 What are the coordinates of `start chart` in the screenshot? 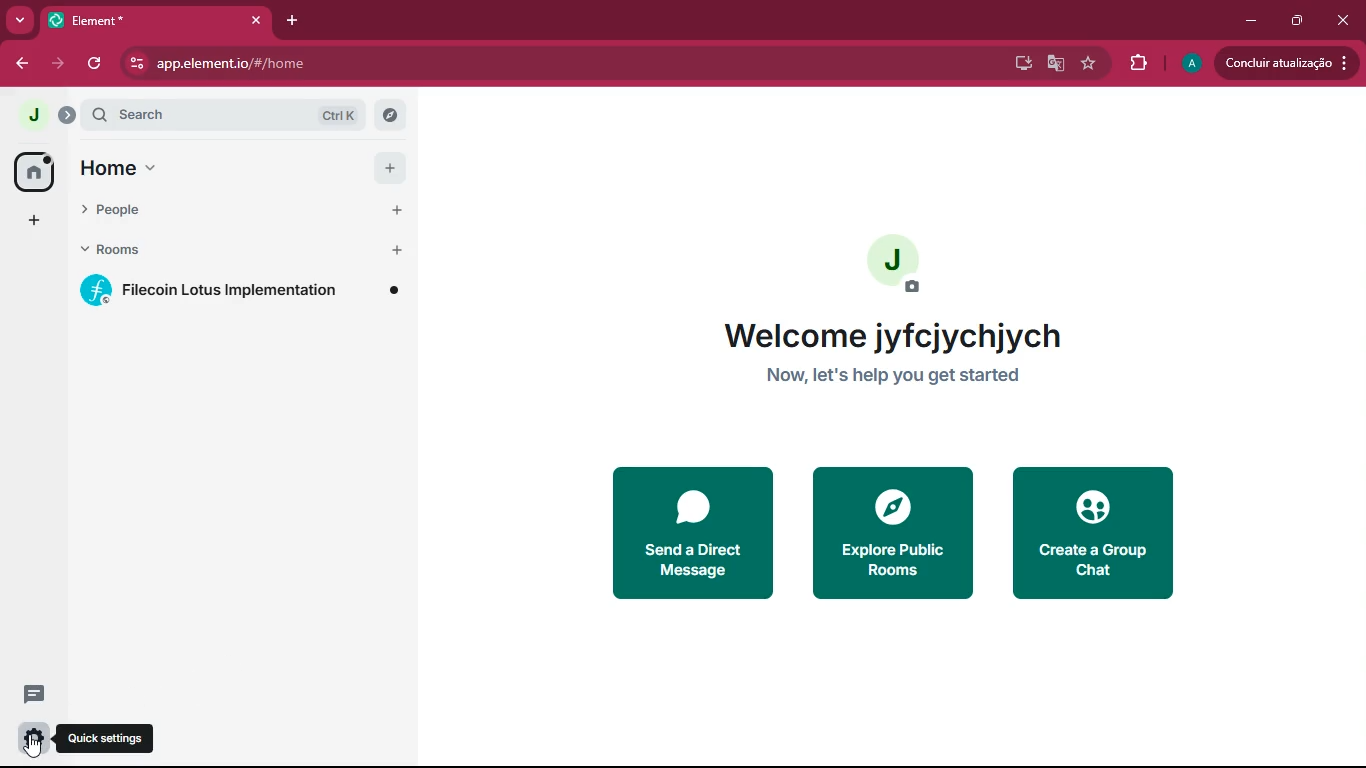 It's located at (396, 212).